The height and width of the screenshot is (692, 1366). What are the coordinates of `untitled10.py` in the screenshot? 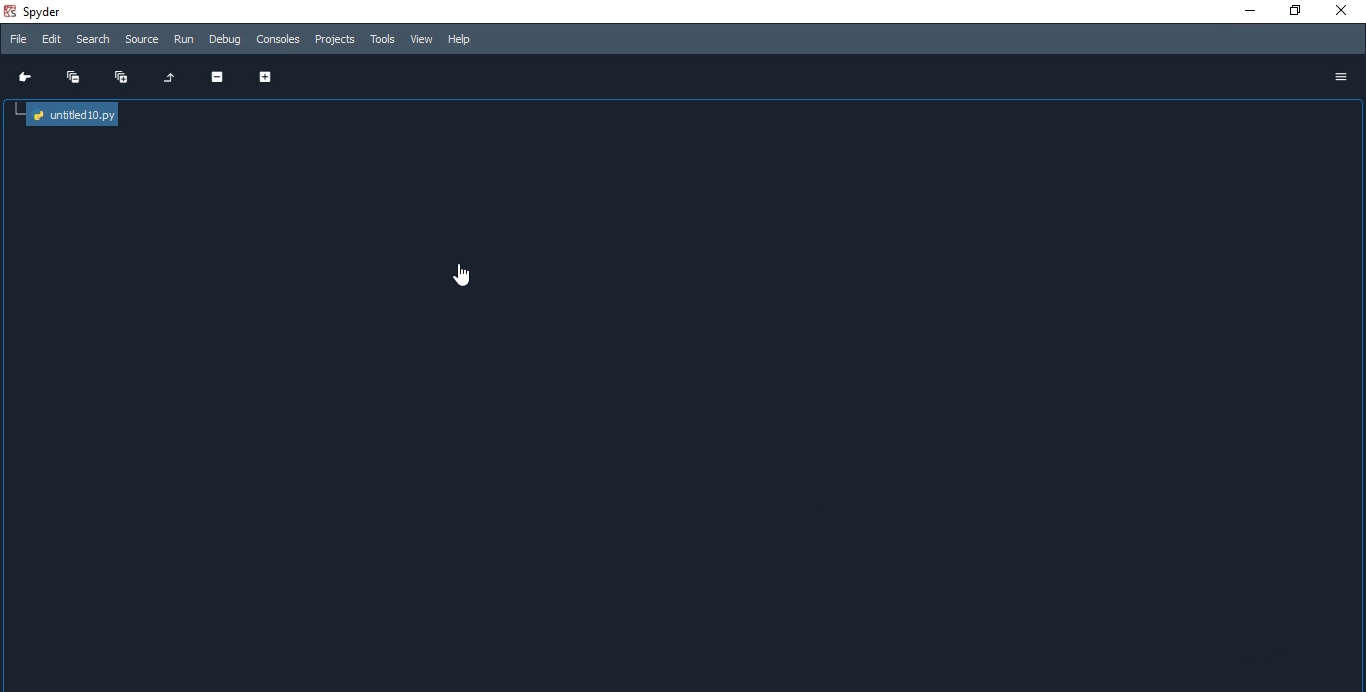 It's located at (75, 113).